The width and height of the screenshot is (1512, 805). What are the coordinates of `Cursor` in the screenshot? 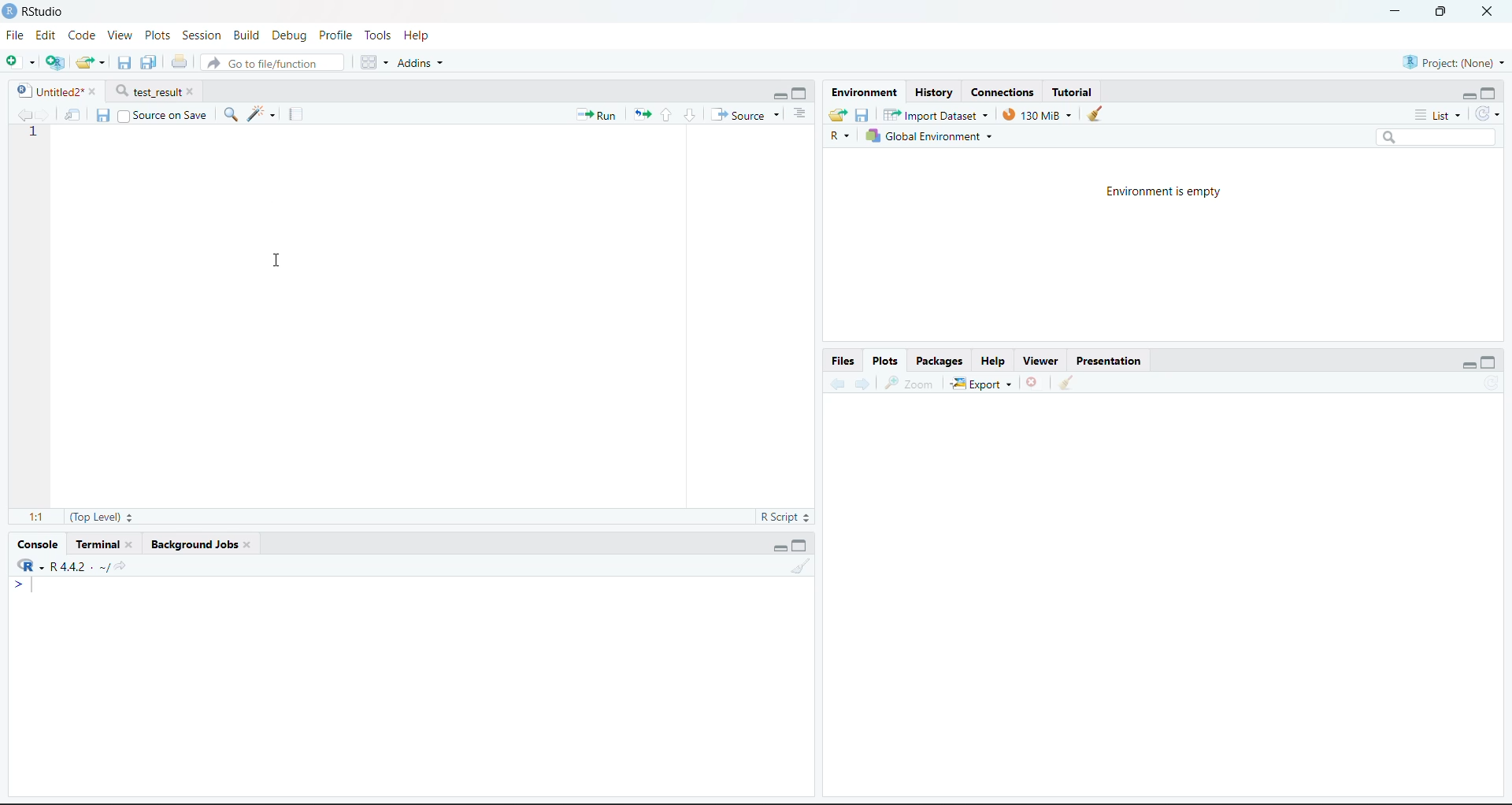 It's located at (275, 141).